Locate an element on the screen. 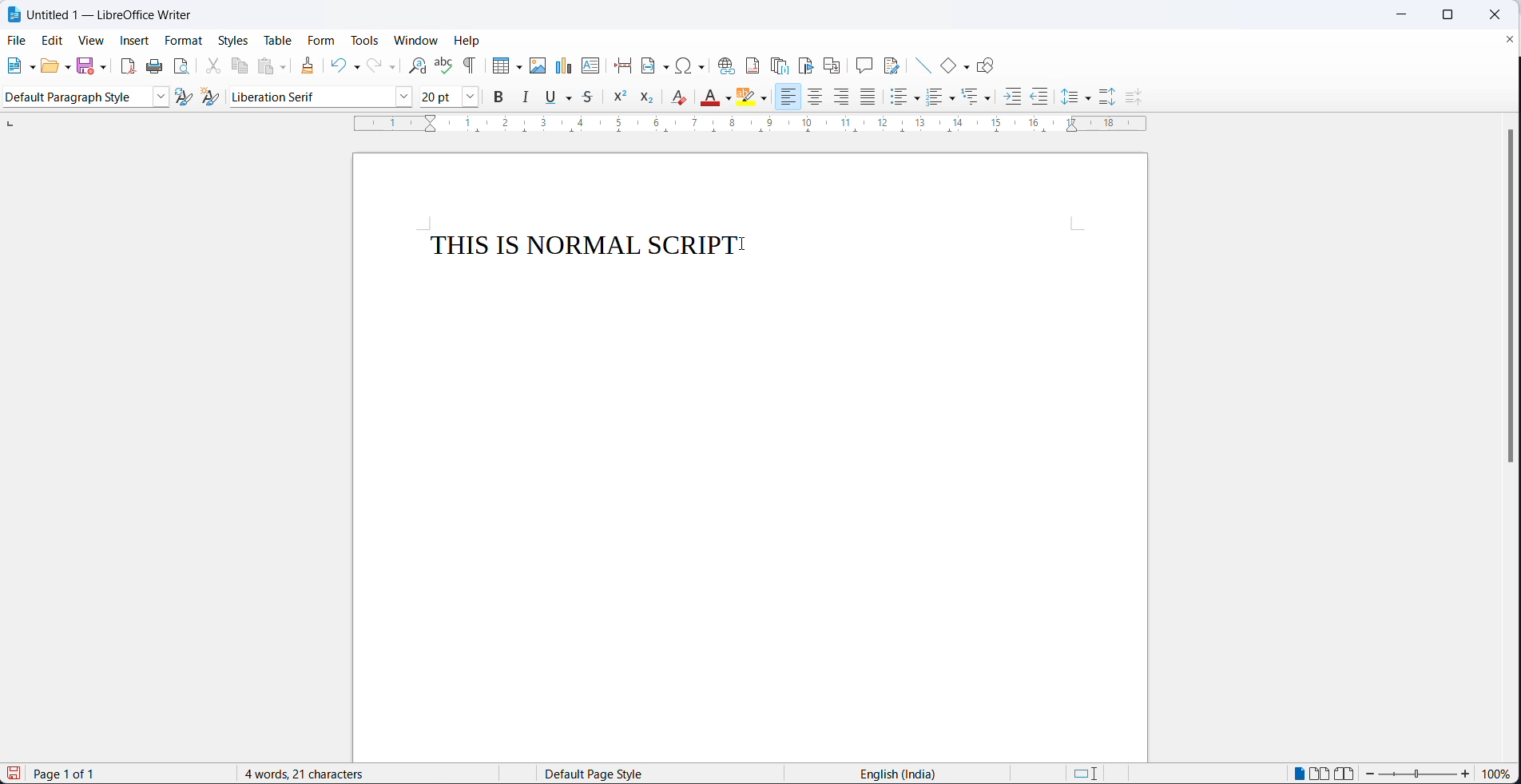 The image size is (1521, 784). font size dropdown button is located at coordinates (471, 97).